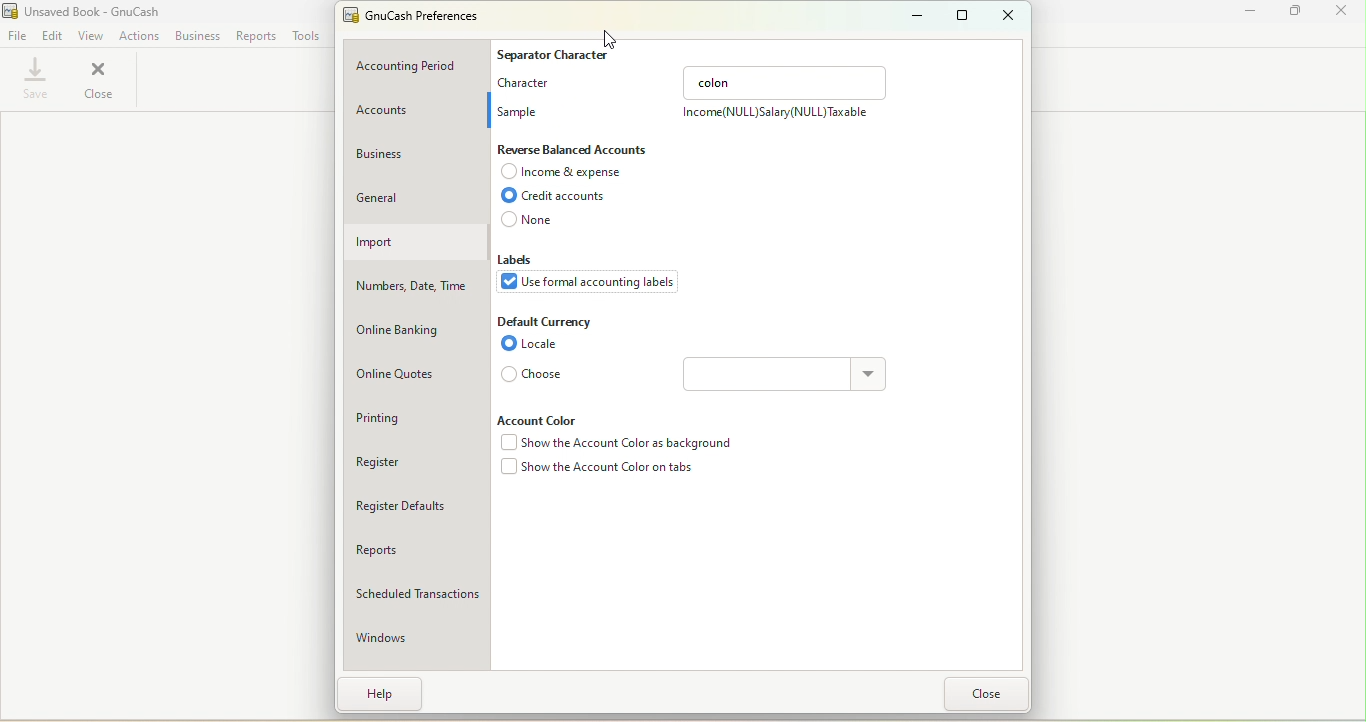 The height and width of the screenshot is (722, 1366). What do you see at coordinates (556, 52) in the screenshot?
I see `Separate character` at bounding box center [556, 52].